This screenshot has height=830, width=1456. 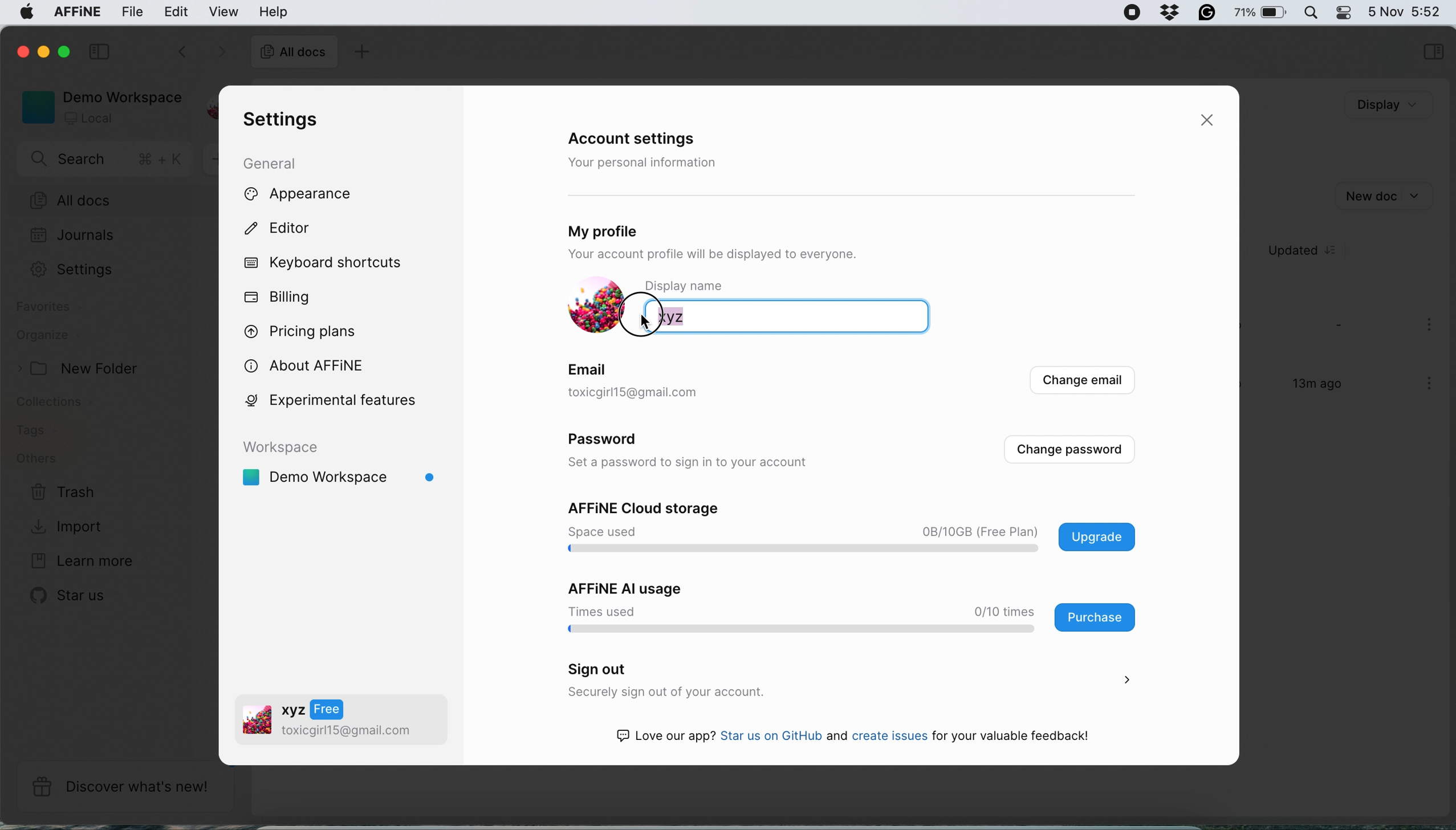 I want to click on display picture, so click(x=591, y=306).